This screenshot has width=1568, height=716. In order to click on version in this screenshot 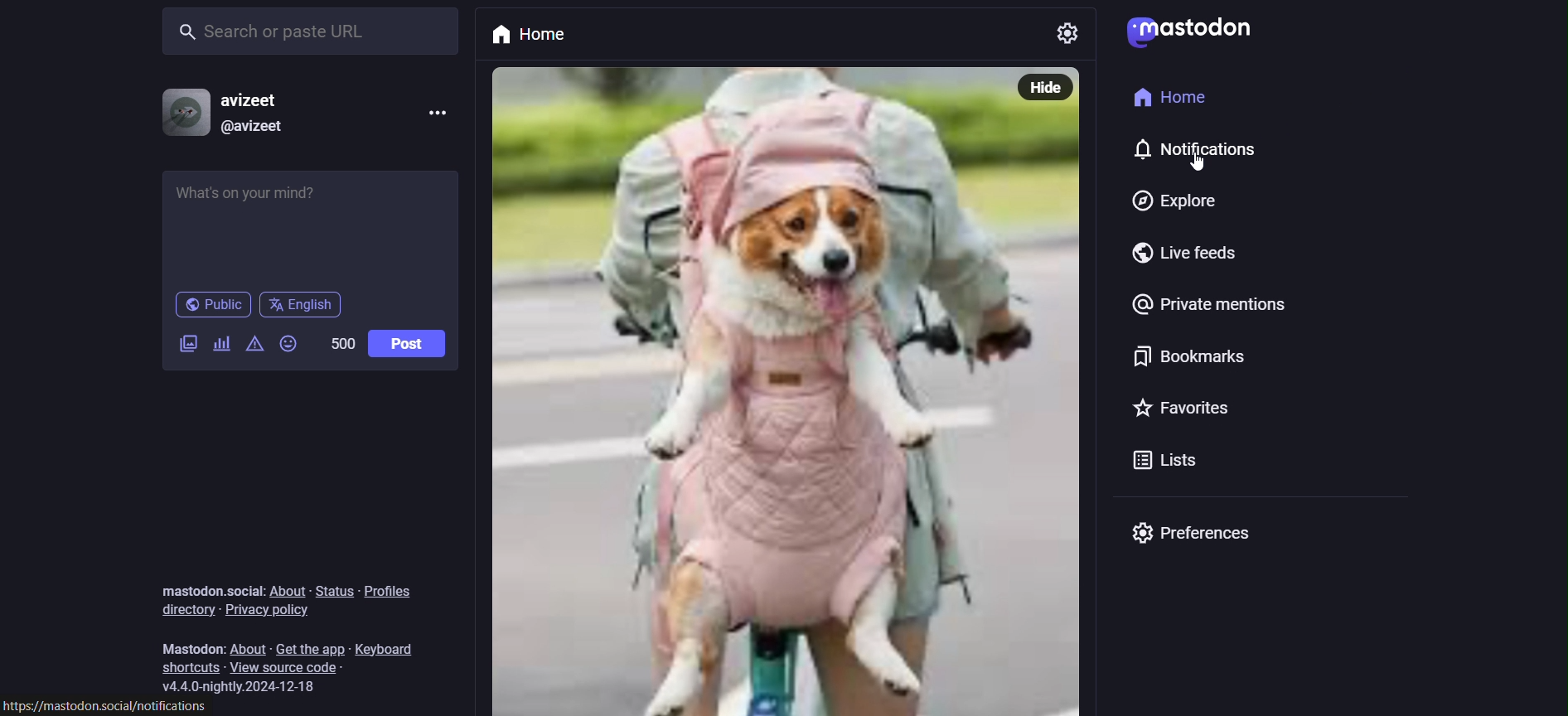, I will do `click(246, 687)`.